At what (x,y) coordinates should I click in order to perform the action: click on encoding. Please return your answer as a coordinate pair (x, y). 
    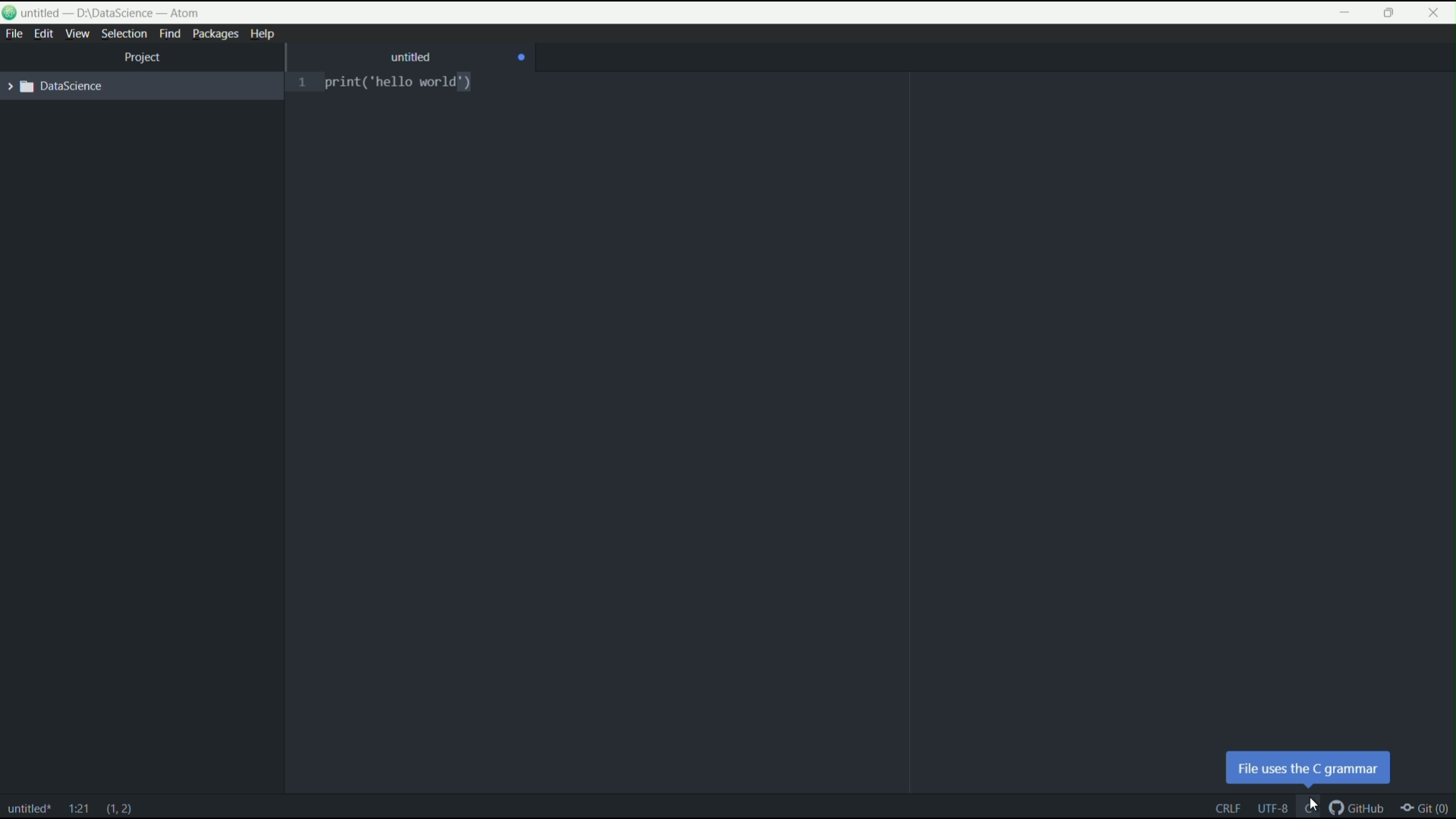
    Looking at the image, I should click on (1272, 810).